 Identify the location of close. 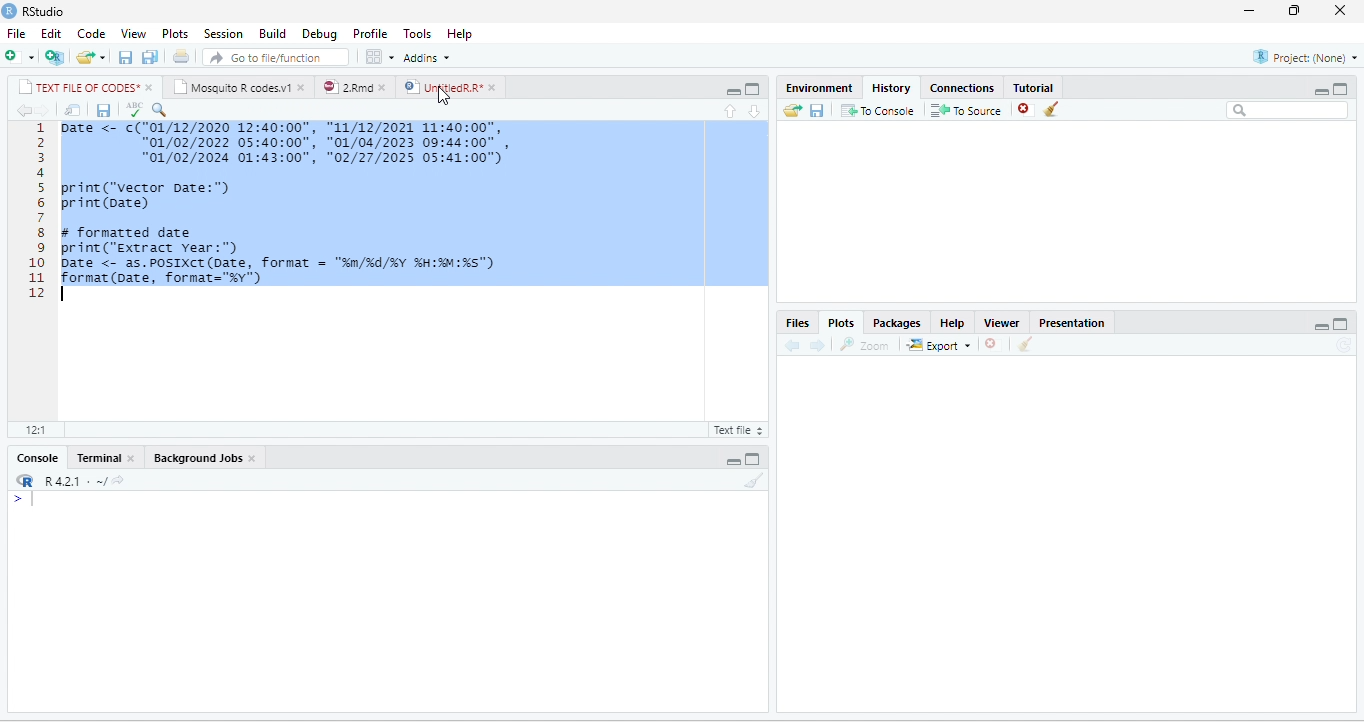
(253, 458).